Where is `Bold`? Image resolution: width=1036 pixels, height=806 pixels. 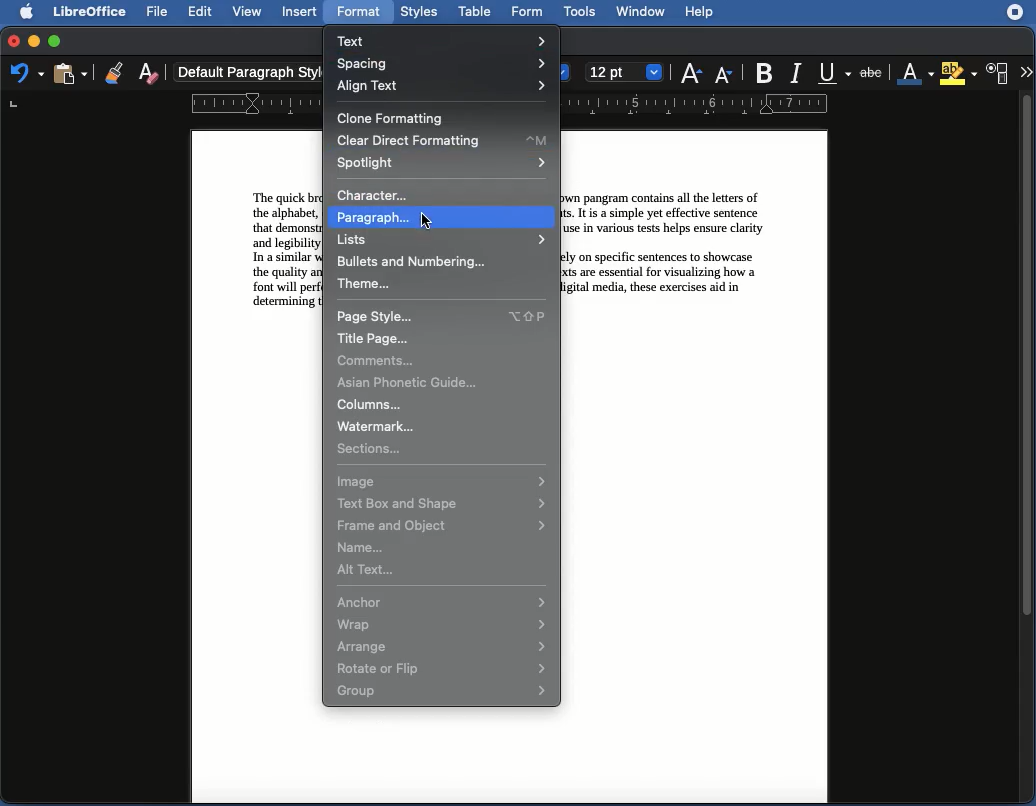 Bold is located at coordinates (763, 71).